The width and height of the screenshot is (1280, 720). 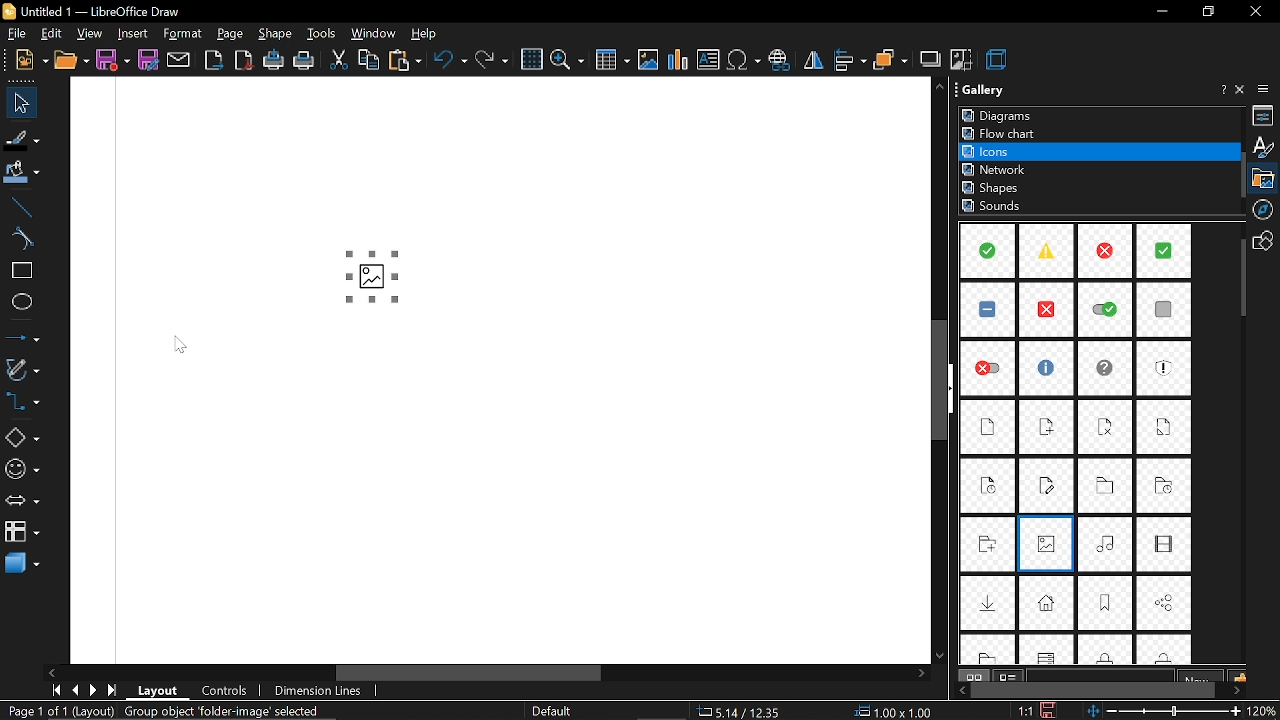 I want to click on new, so click(x=25, y=59).